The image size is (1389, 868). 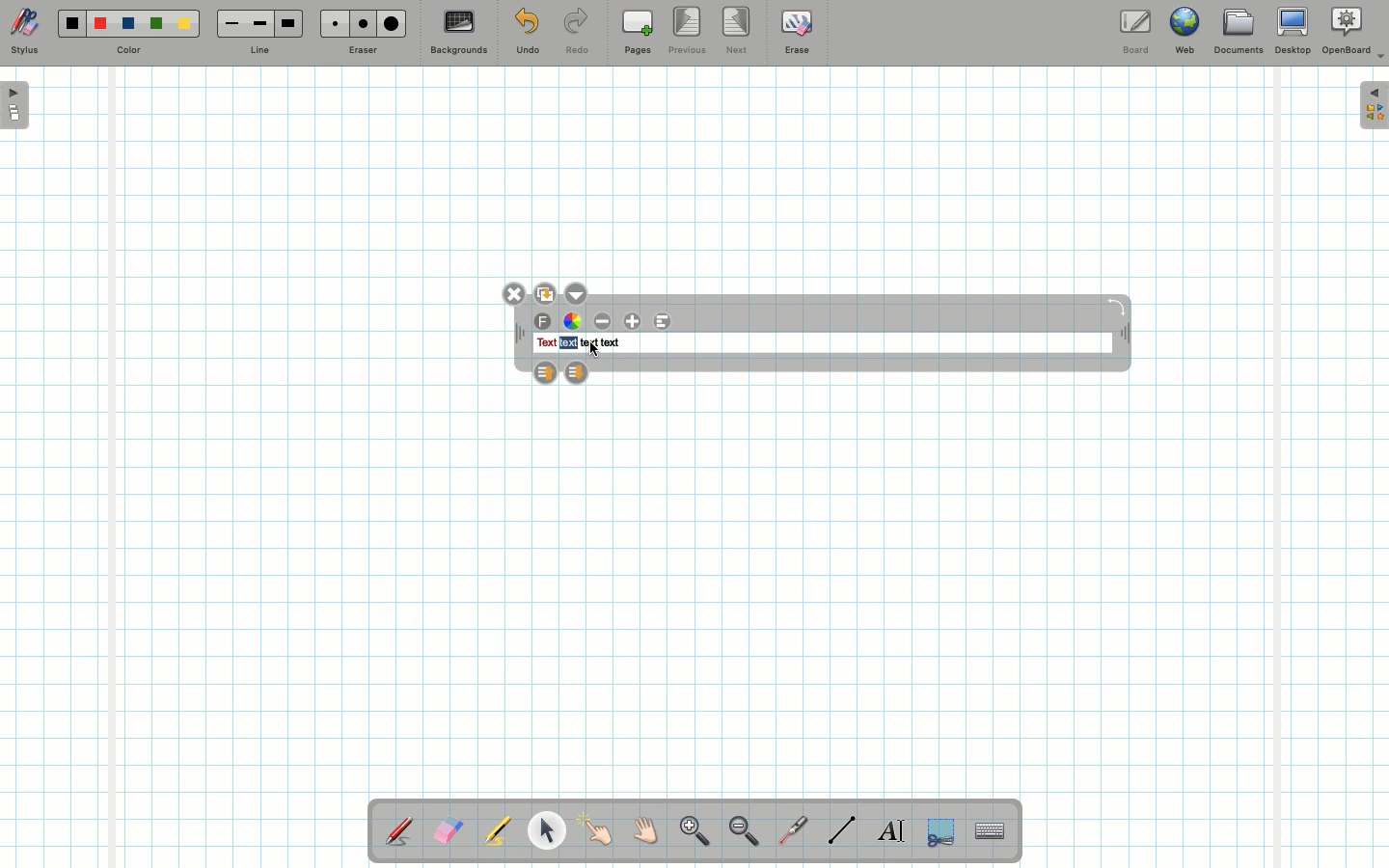 What do you see at coordinates (16, 104) in the screenshot?
I see `Open pages` at bounding box center [16, 104].